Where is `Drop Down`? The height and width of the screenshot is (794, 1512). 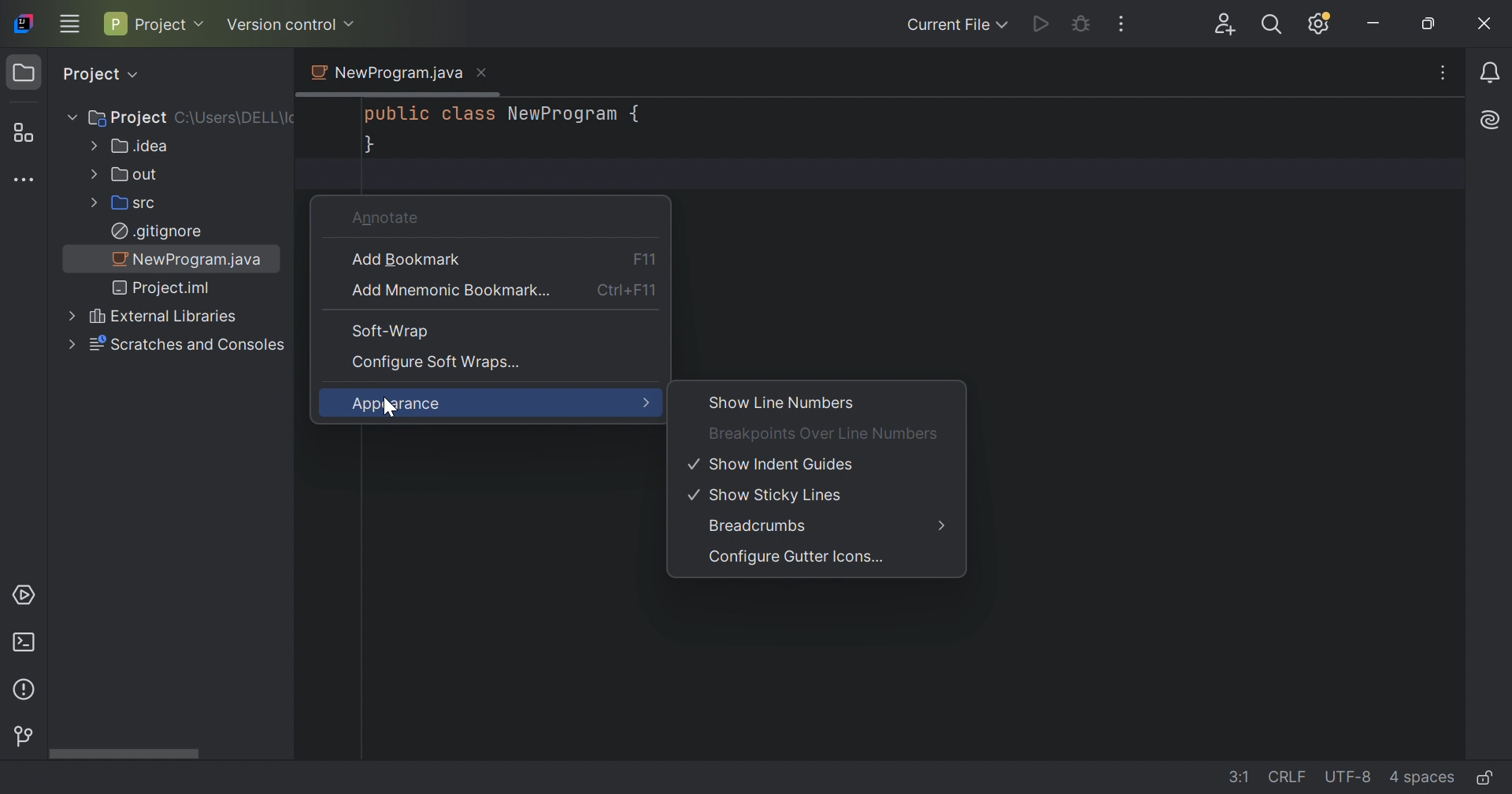
Drop Down is located at coordinates (92, 173).